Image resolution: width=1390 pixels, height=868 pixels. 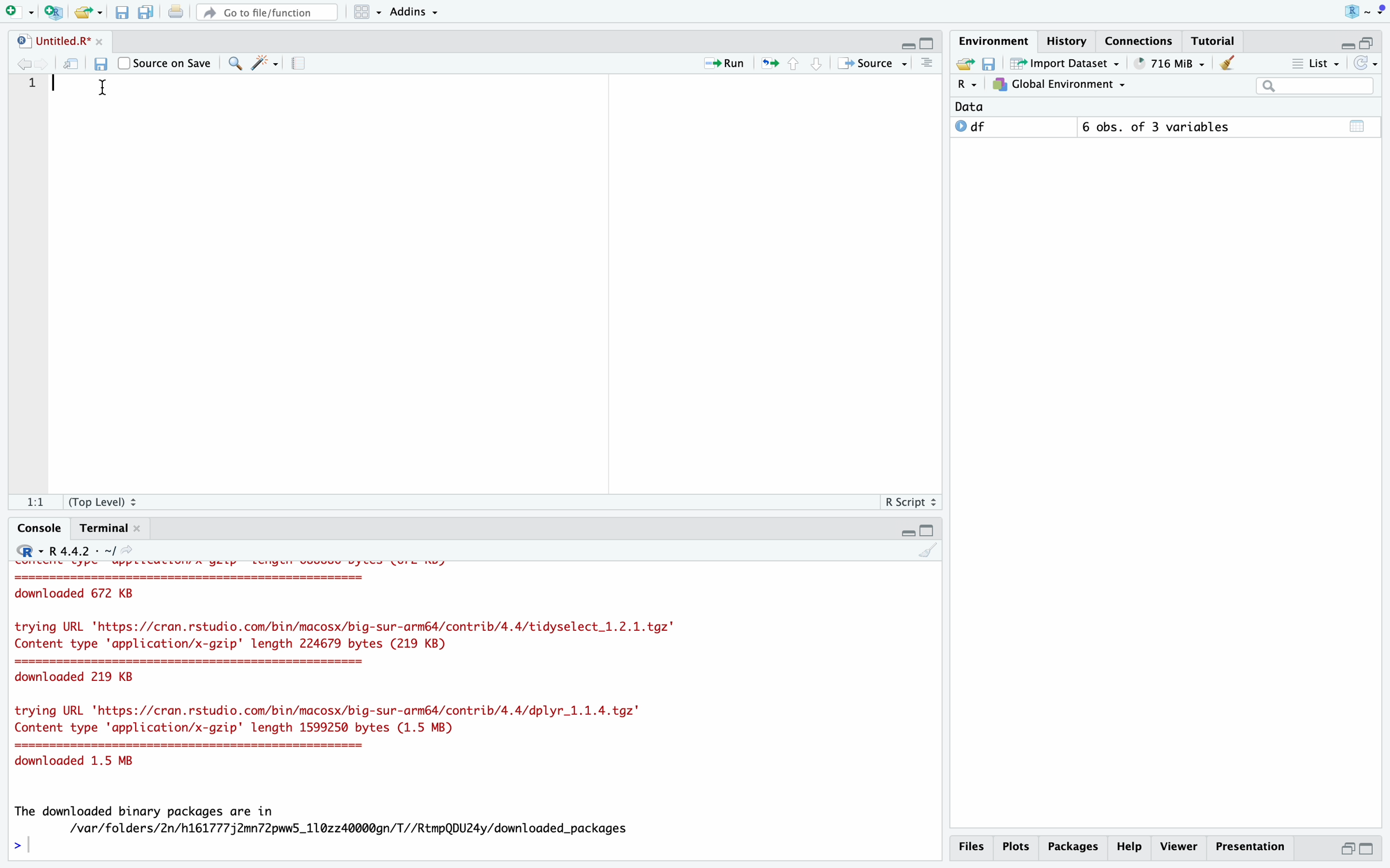 I want to click on Export history logs, so click(x=967, y=63).